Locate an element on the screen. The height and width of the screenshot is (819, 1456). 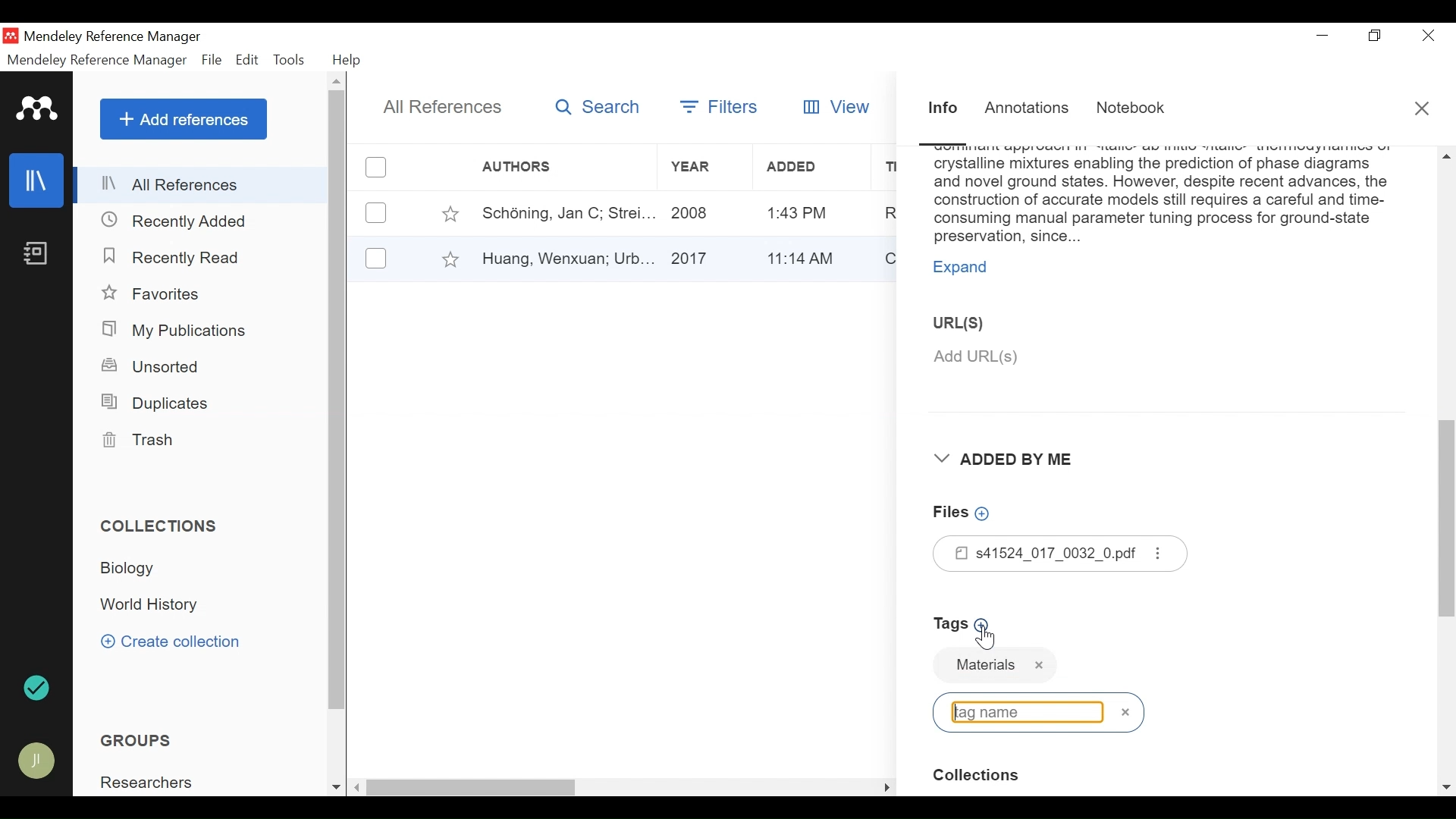
Scroll down is located at coordinates (1447, 789).